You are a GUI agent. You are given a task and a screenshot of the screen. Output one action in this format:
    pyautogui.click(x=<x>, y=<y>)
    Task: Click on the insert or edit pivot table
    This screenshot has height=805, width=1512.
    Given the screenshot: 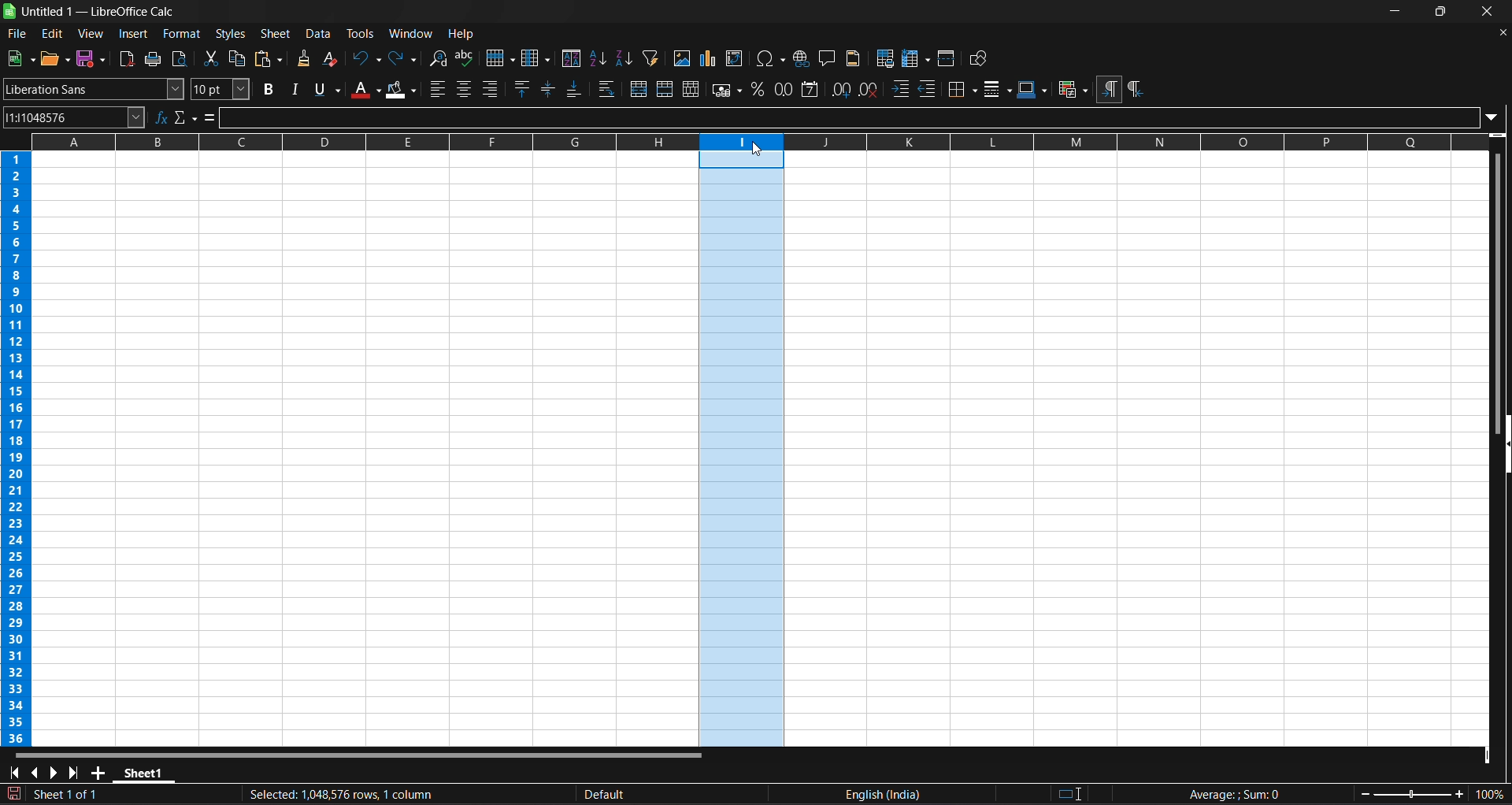 What is the action you would take?
    pyautogui.click(x=735, y=58)
    